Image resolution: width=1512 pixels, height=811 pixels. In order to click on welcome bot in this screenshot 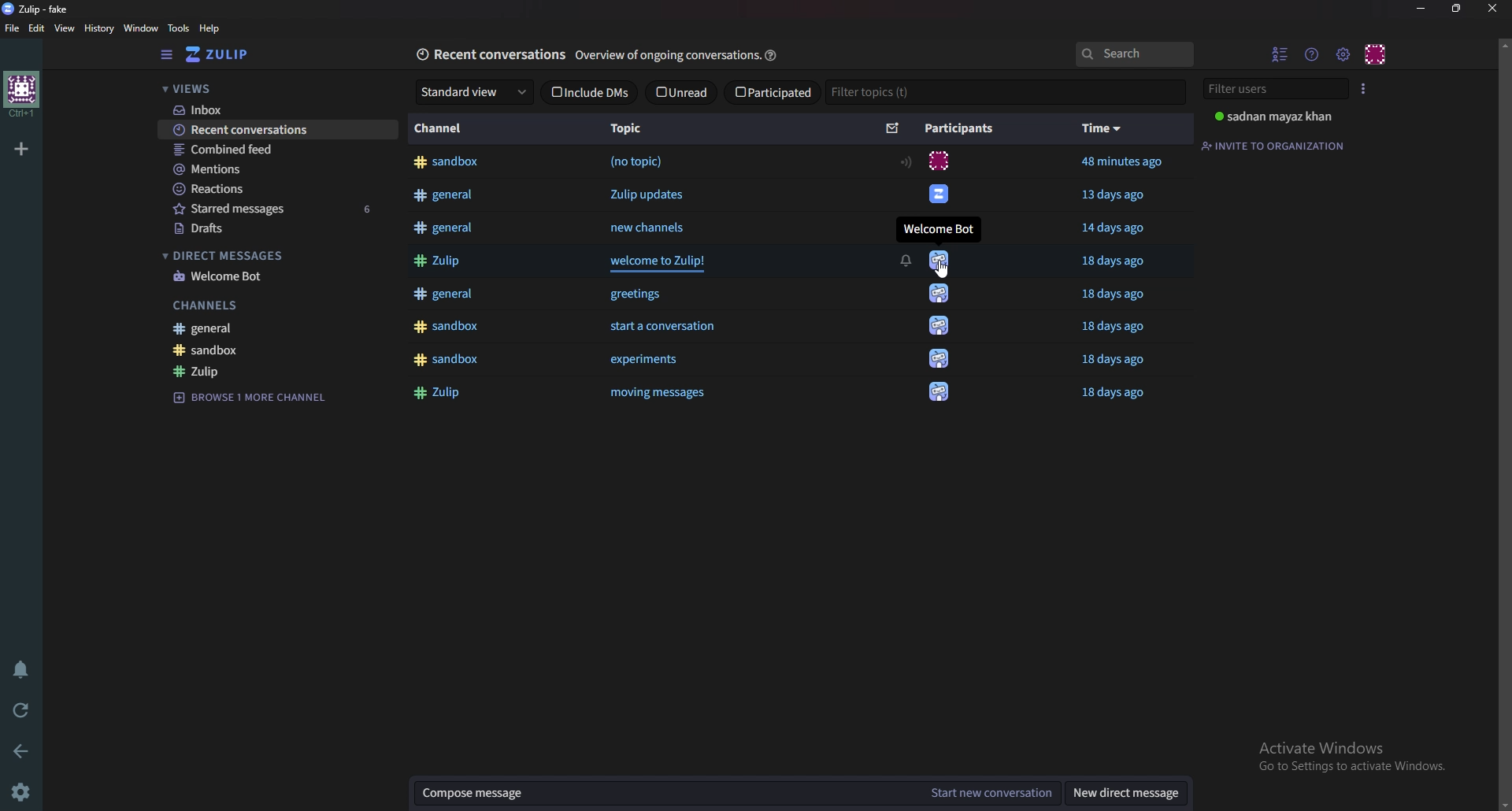, I will do `click(278, 278)`.